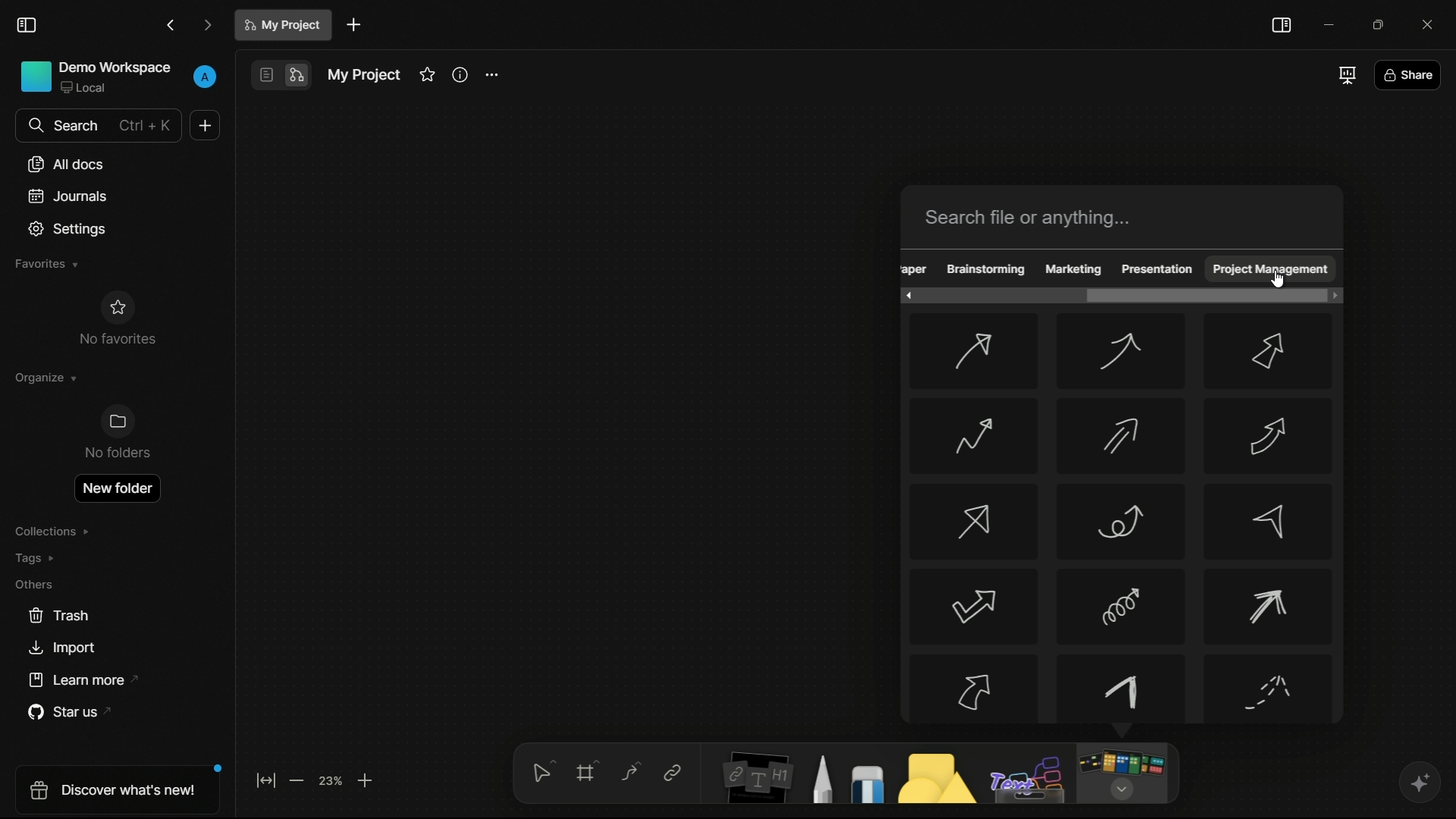 The height and width of the screenshot is (819, 1456). Describe the element at coordinates (45, 264) in the screenshot. I see `favorites` at that location.